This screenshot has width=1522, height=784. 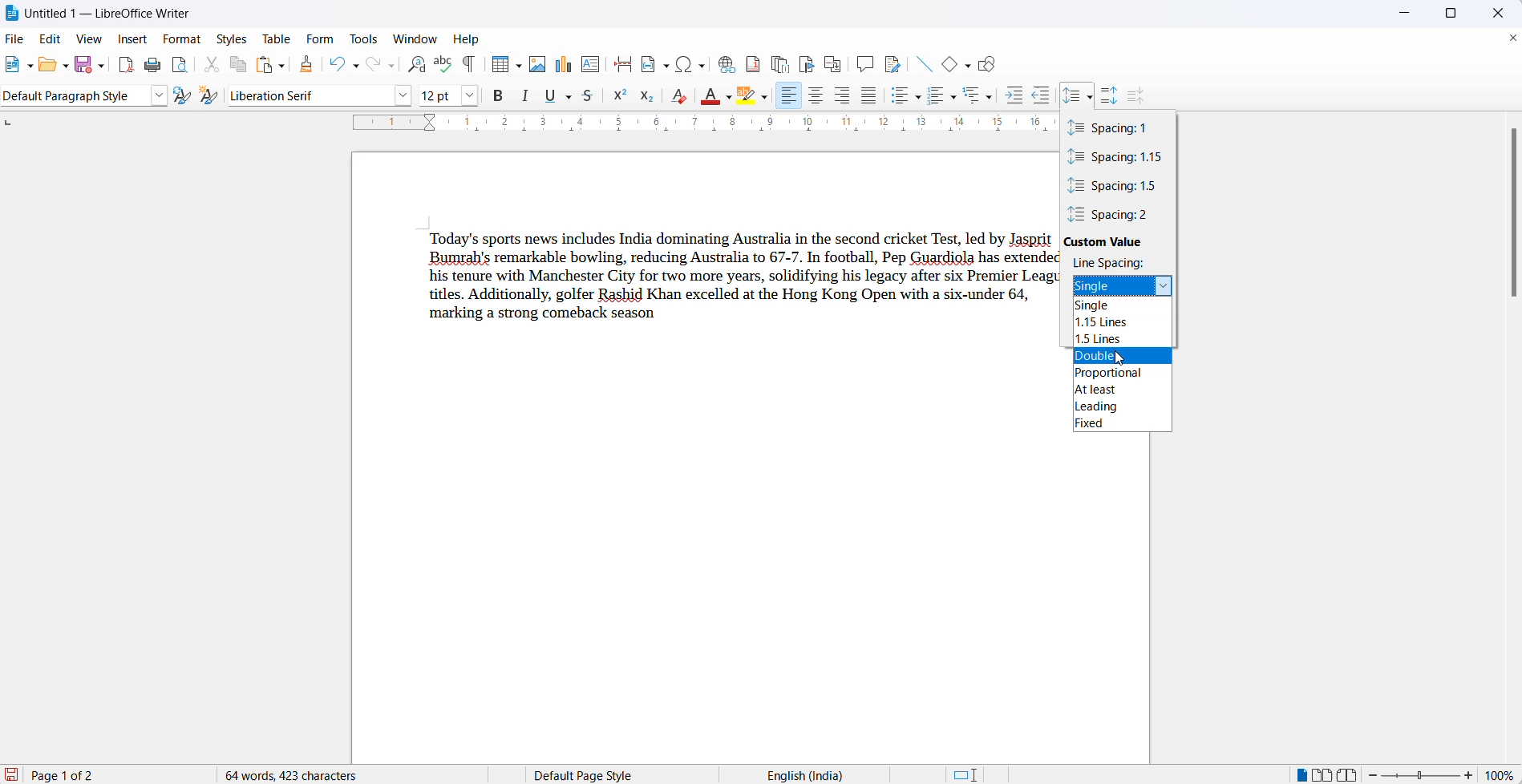 What do you see at coordinates (354, 66) in the screenshot?
I see `undo options` at bounding box center [354, 66].